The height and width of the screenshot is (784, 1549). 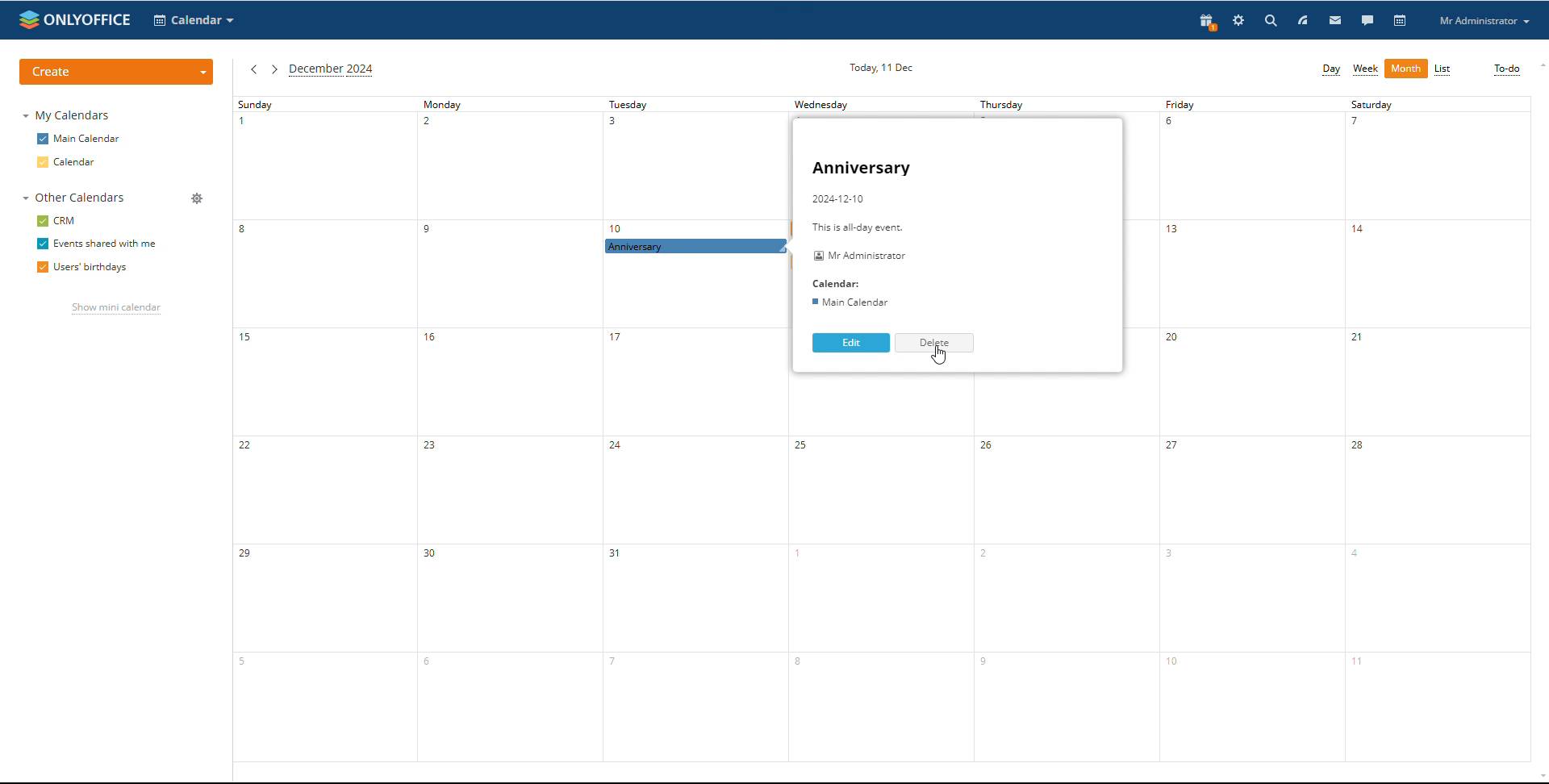 I want to click on settings, so click(x=1239, y=21).